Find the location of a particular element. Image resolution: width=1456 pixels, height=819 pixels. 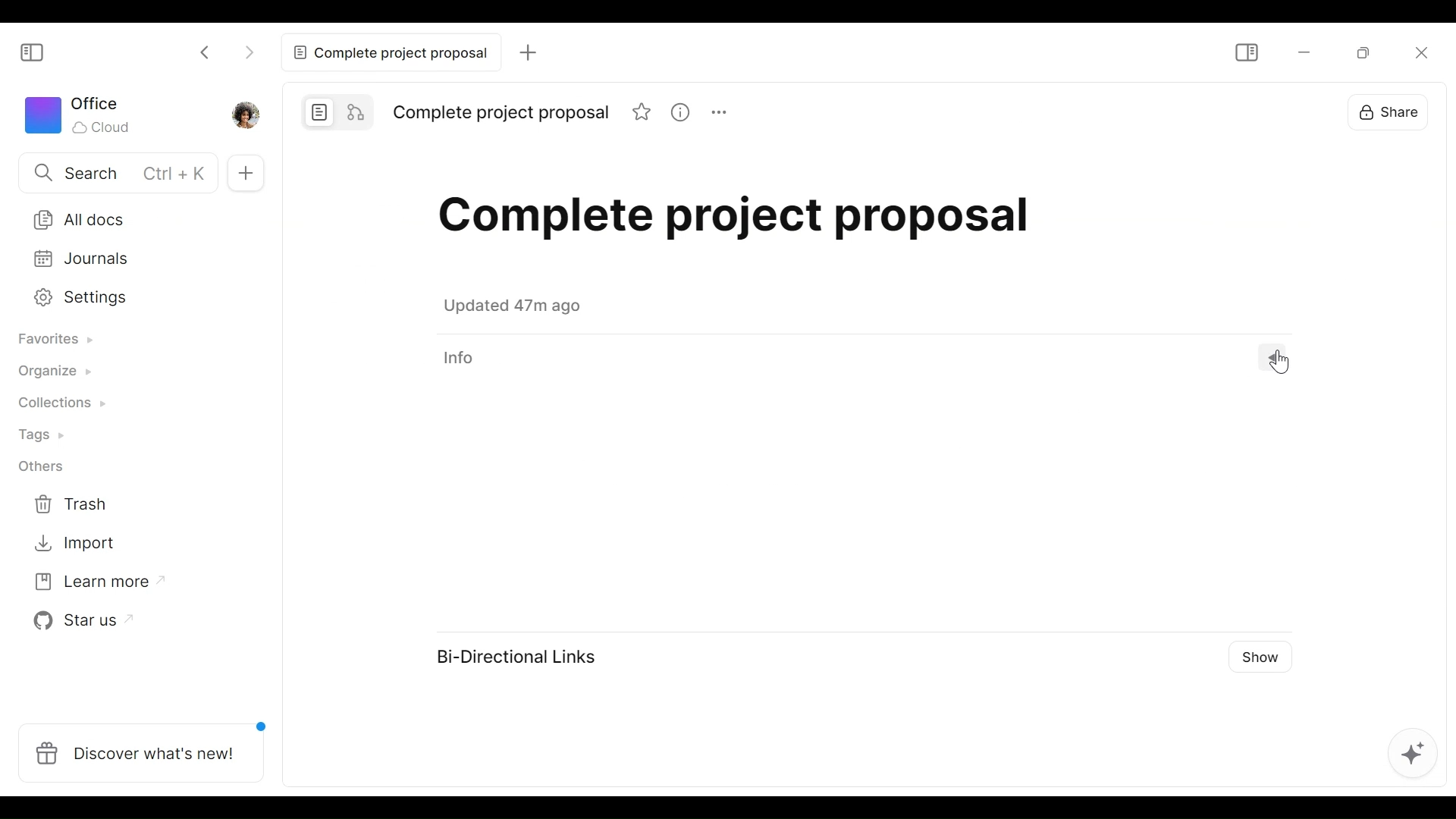

View Information is located at coordinates (679, 111).